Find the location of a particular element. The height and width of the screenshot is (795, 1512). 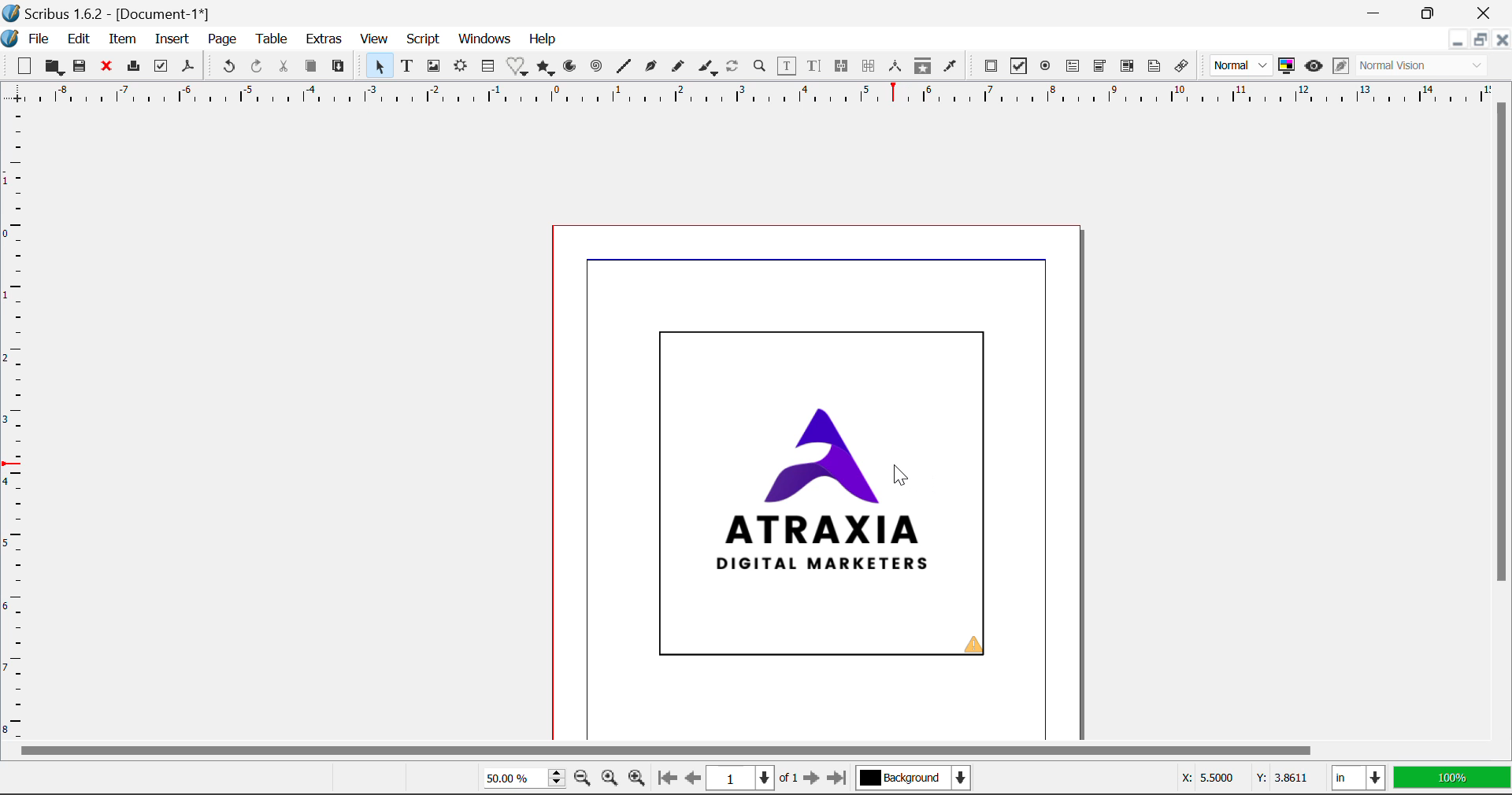

Image Frame is located at coordinates (435, 68).